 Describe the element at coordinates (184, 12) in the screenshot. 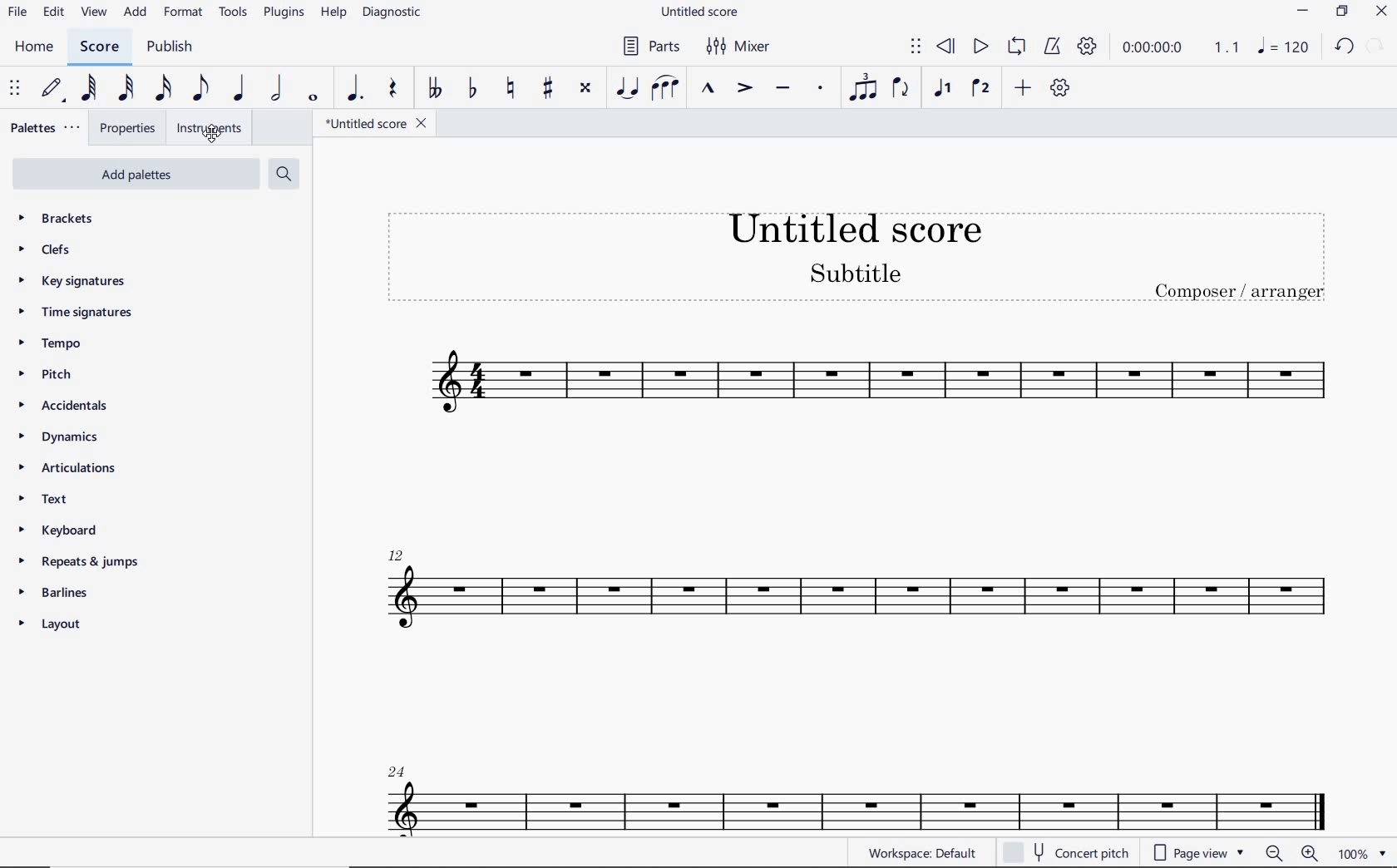

I see `FORMAT` at that location.